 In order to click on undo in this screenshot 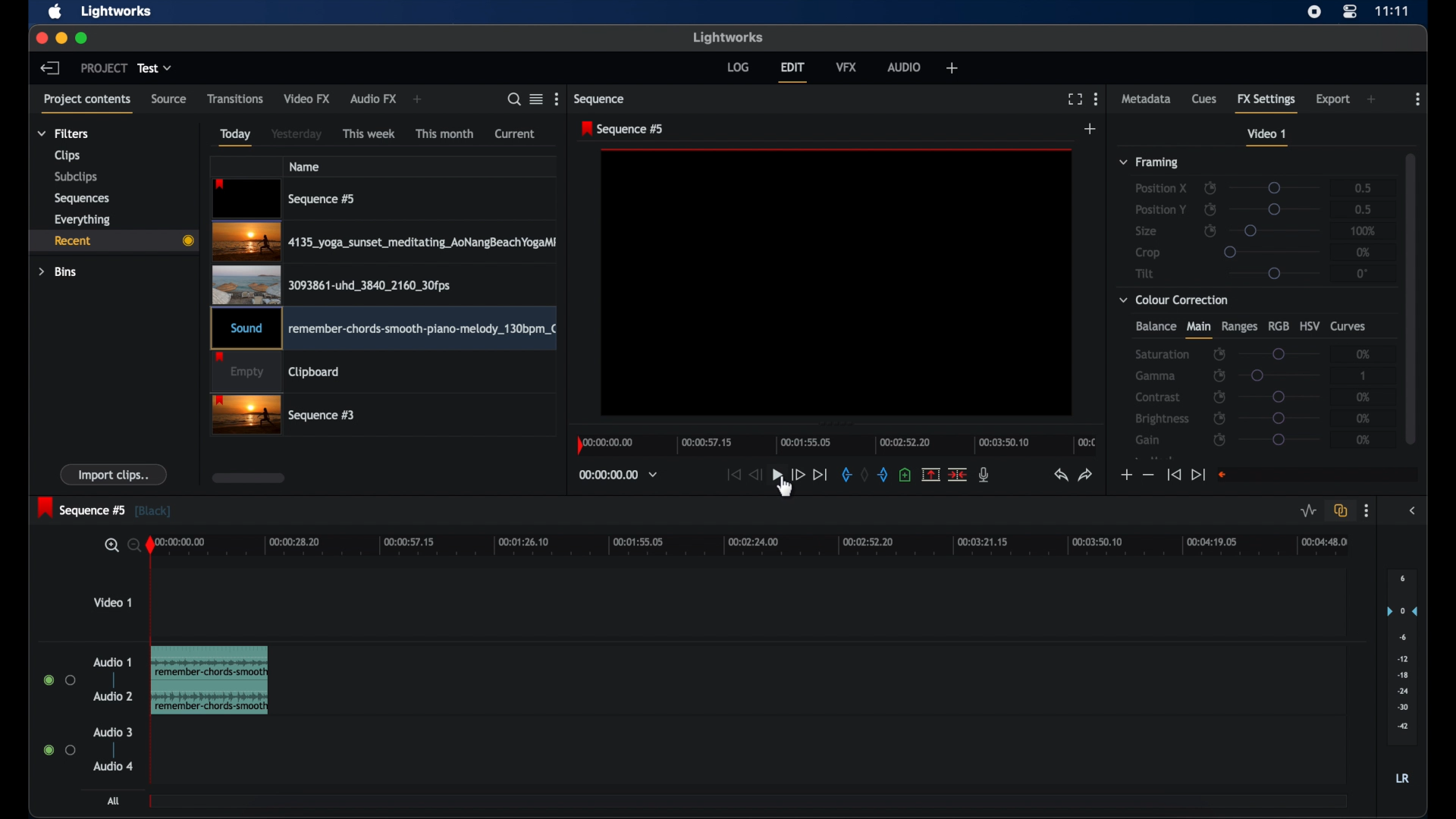, I will do `click(1061, 475)`.